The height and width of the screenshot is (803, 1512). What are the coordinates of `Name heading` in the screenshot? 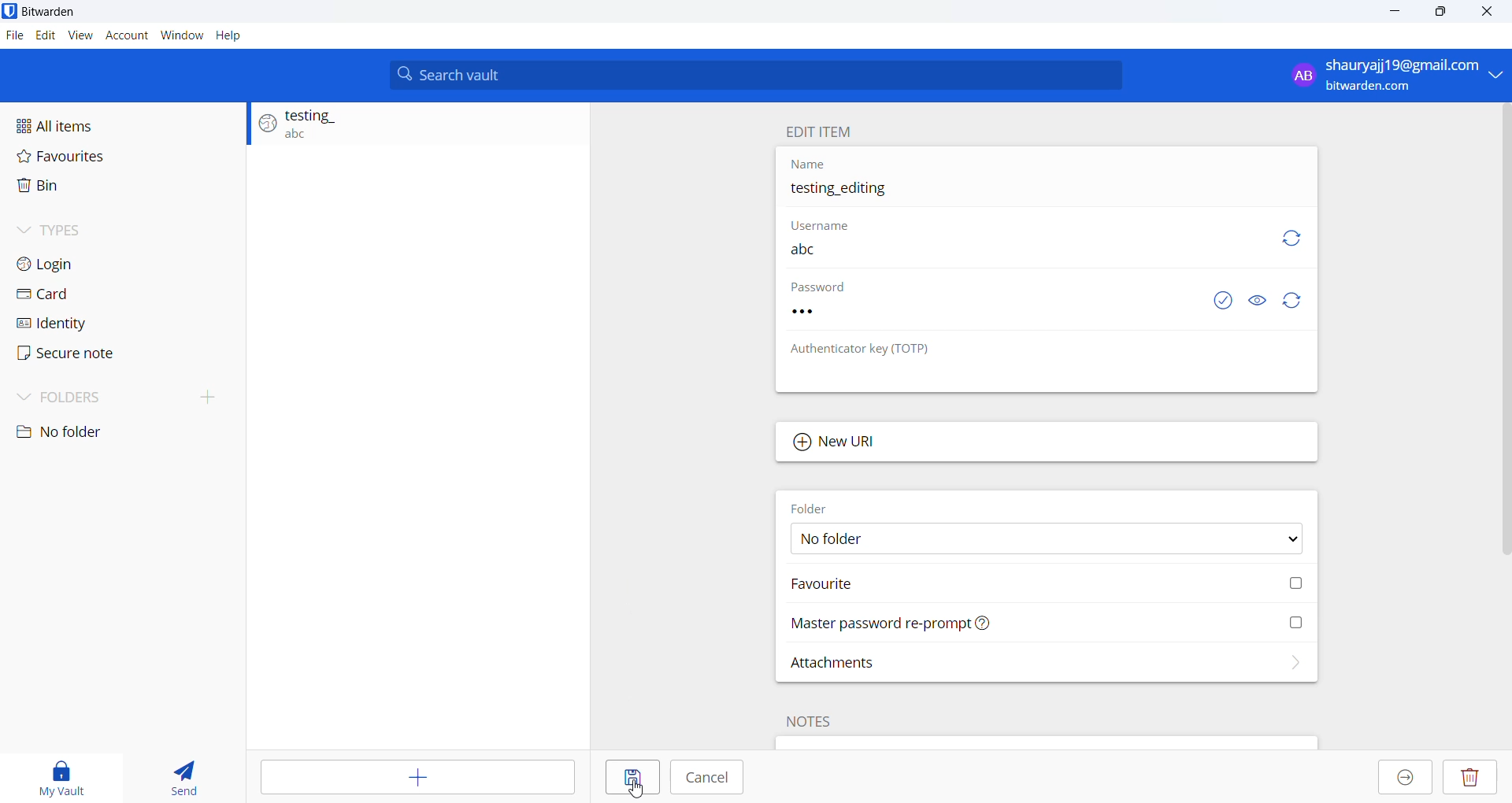 It's located at (805, 164).